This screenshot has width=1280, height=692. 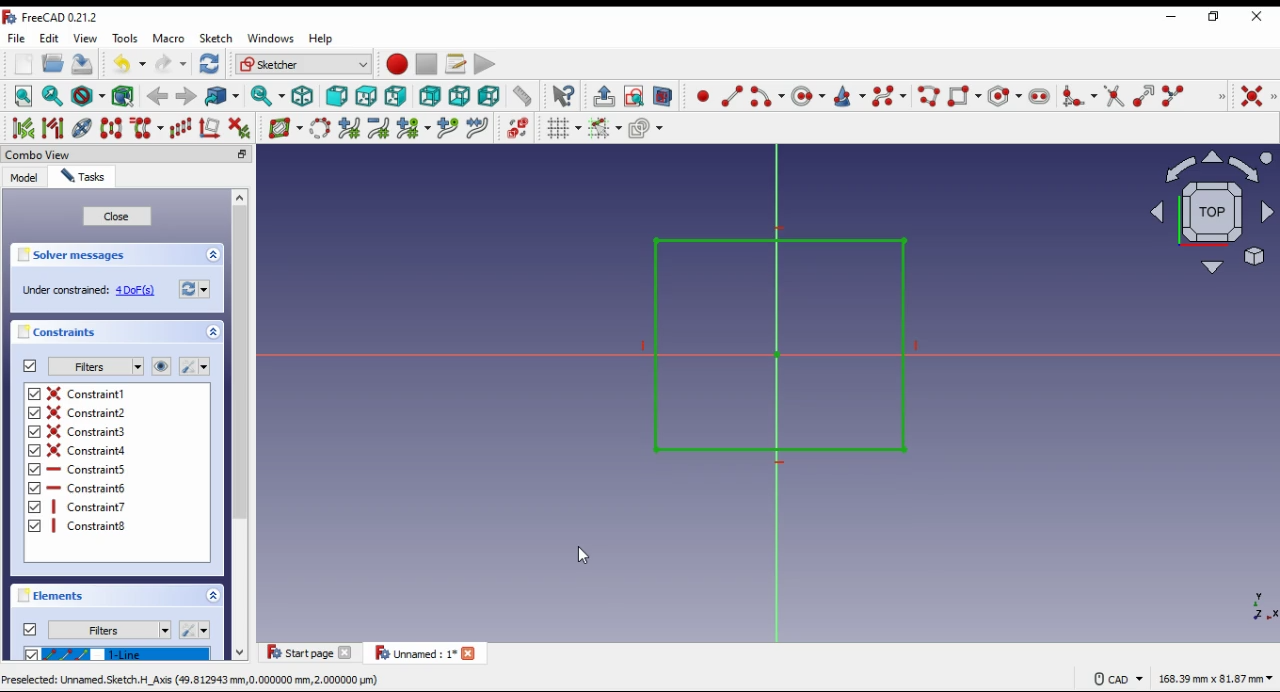 What do you see at coordinates (396, 64) in the screenshot?
I see `record macro` at bounding box center [396, 64].